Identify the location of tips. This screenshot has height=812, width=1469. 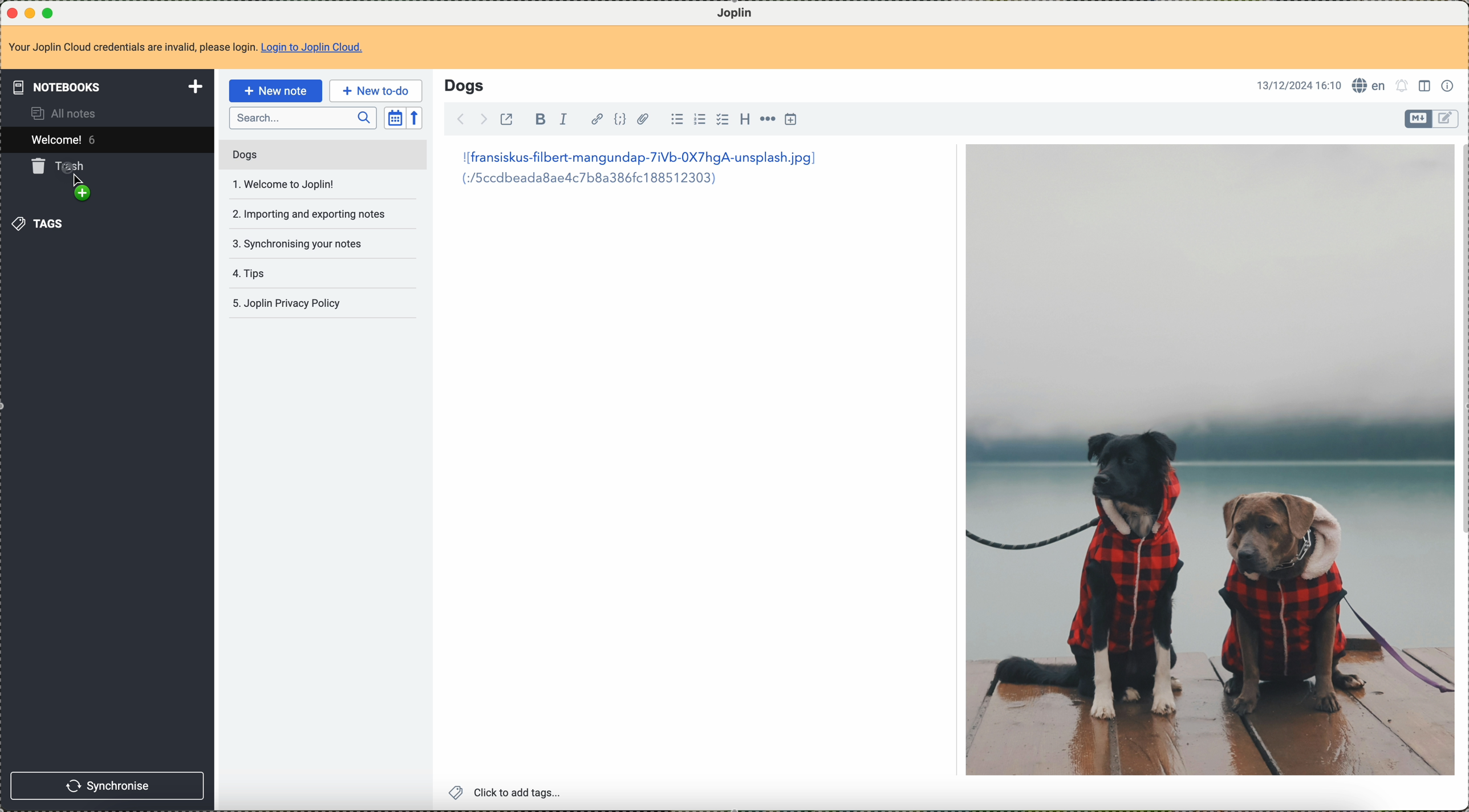
(253, 274).